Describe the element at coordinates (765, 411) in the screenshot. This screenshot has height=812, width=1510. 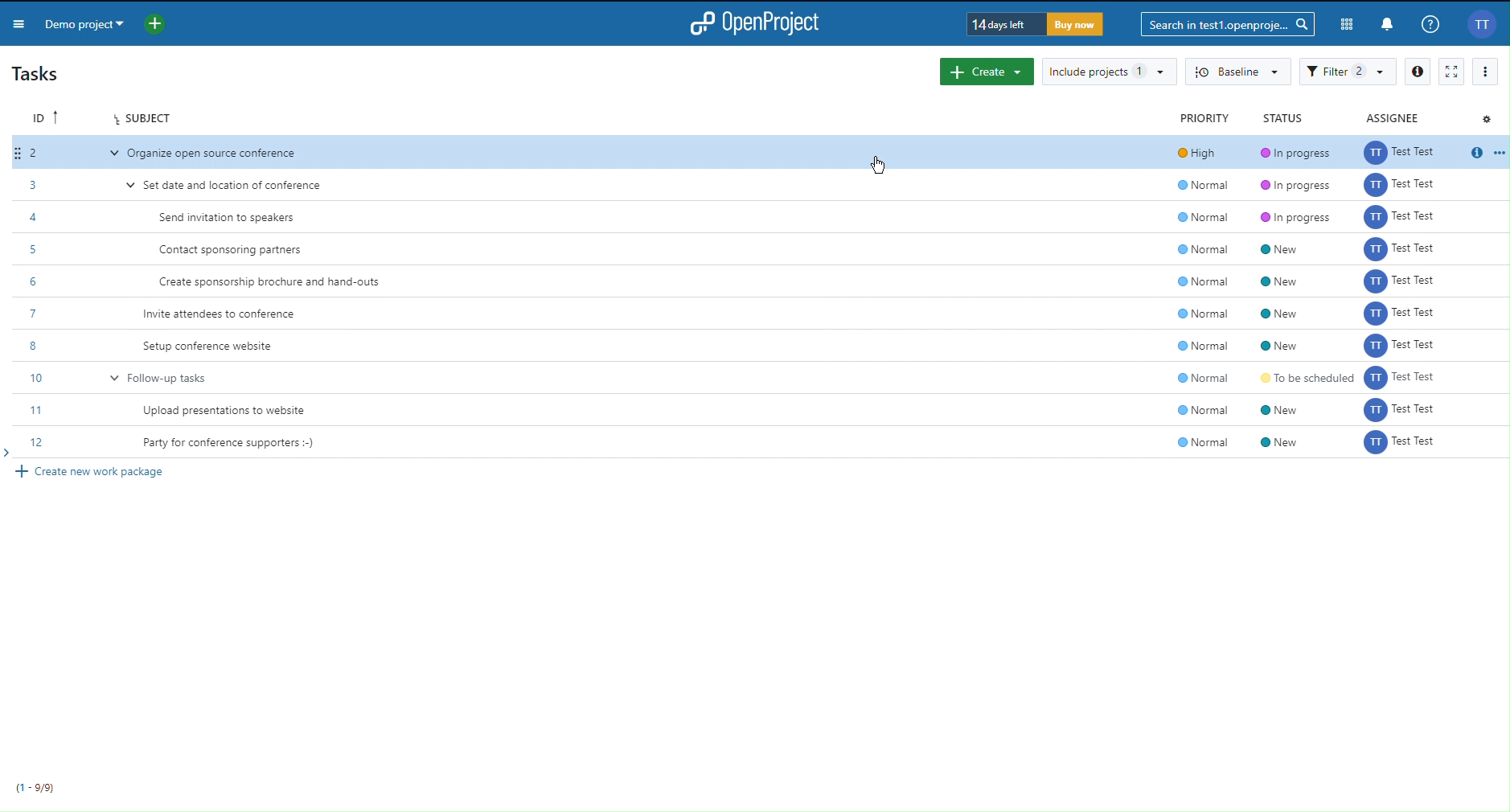
I see `Li SEE PUNIETARSONS US Te" @ Normal -— Ww` at that location.